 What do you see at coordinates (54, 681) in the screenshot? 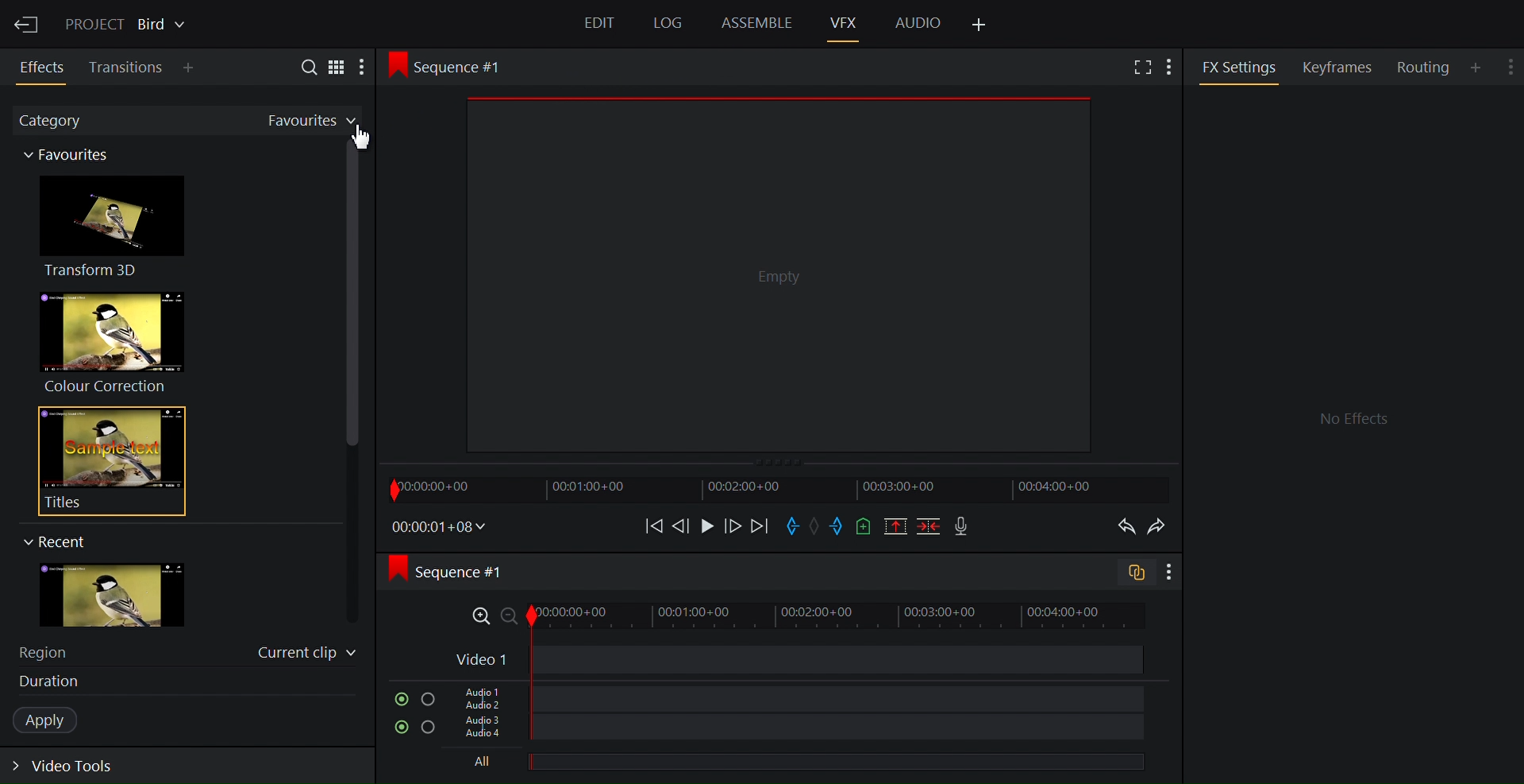
I see `` at bounding box center [54, 681].